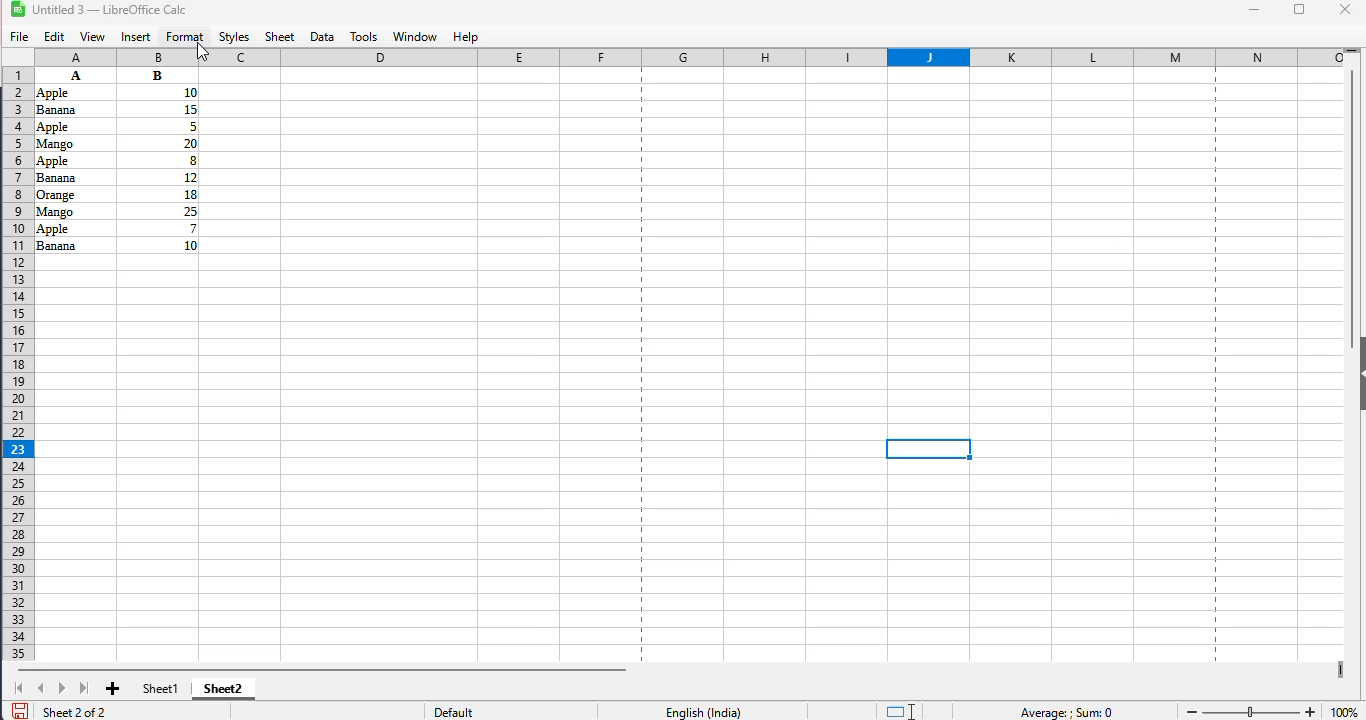 The width and height of the screenshot is (1366, 720). What do you see at coordinates (74, 210) in the screenshot?
I see `` at bounding box center [74, 210].